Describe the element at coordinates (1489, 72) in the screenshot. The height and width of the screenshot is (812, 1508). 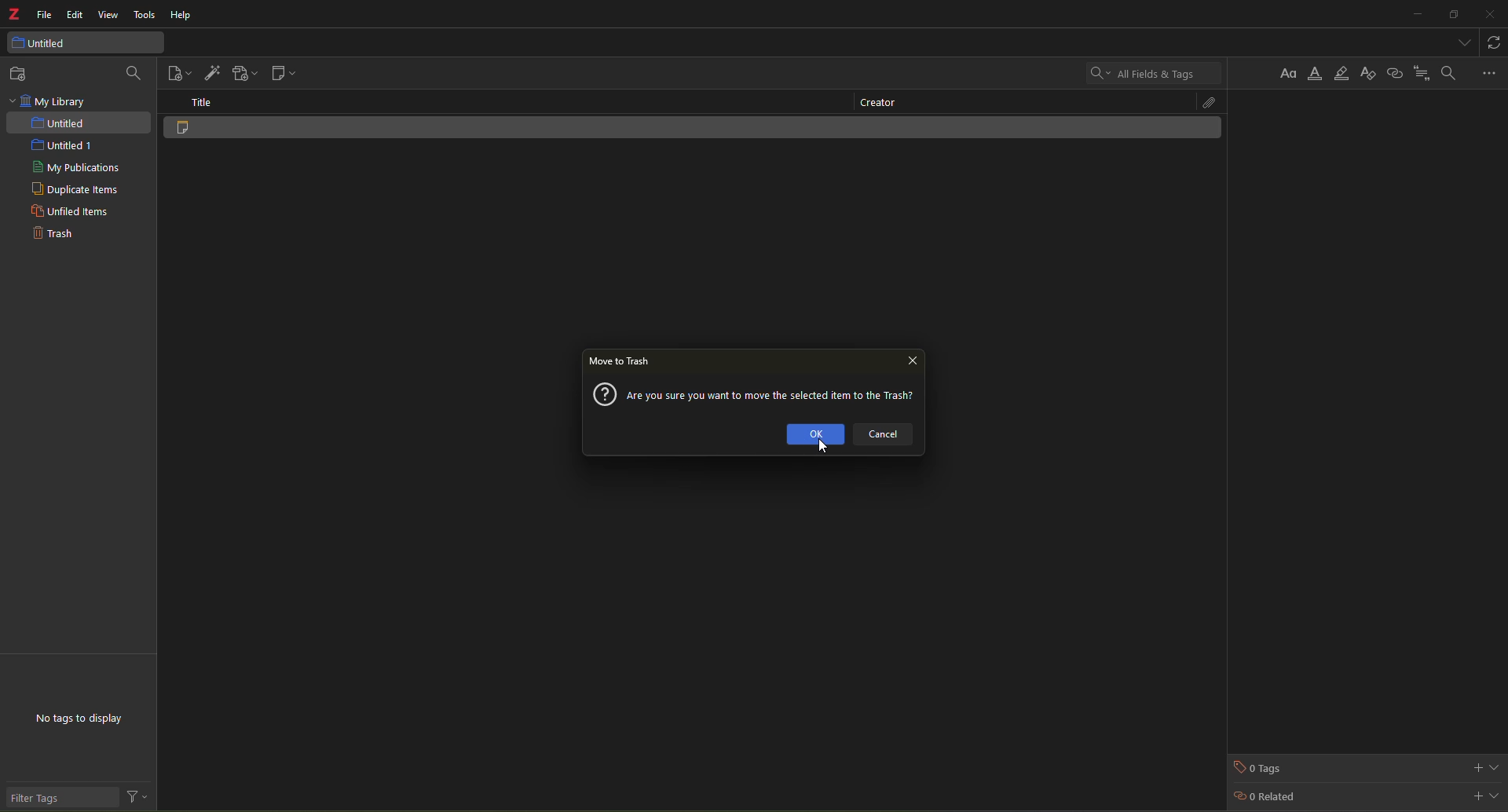
I see `more` at that location.